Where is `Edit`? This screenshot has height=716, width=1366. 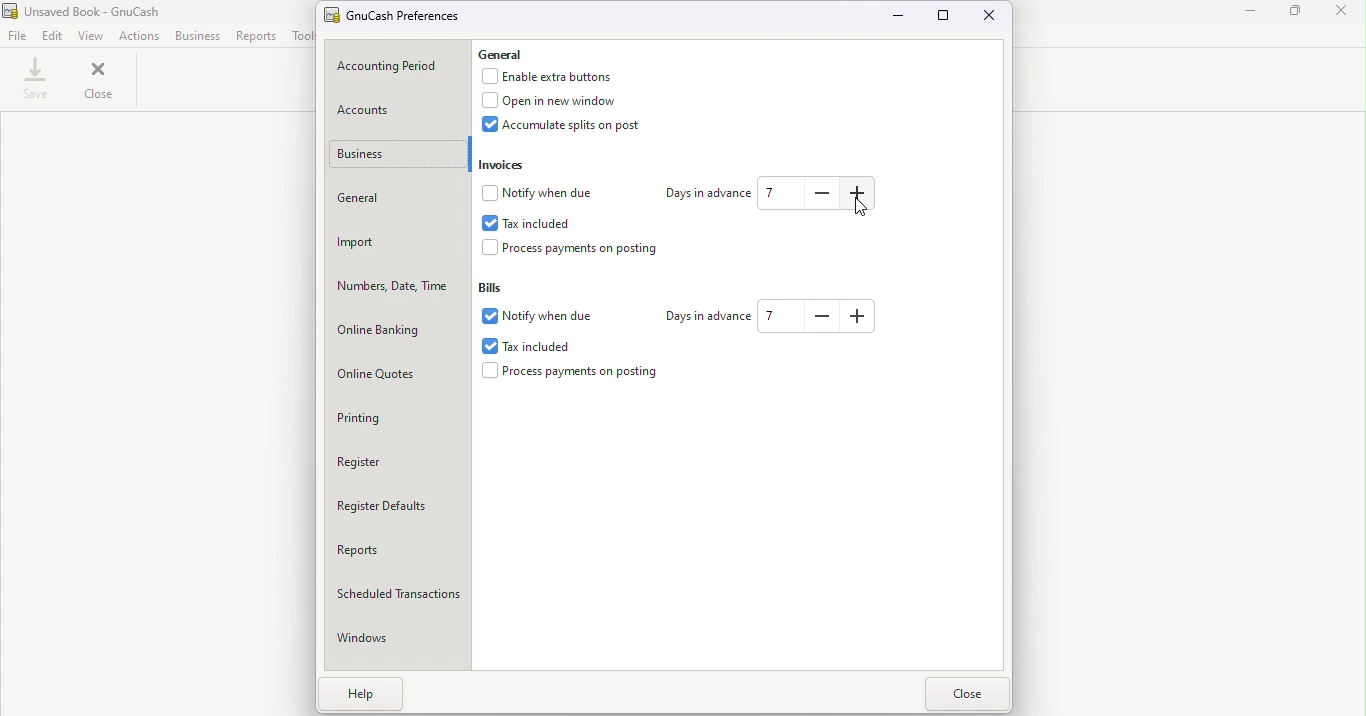
Edit is located at coordinates (56, 36).